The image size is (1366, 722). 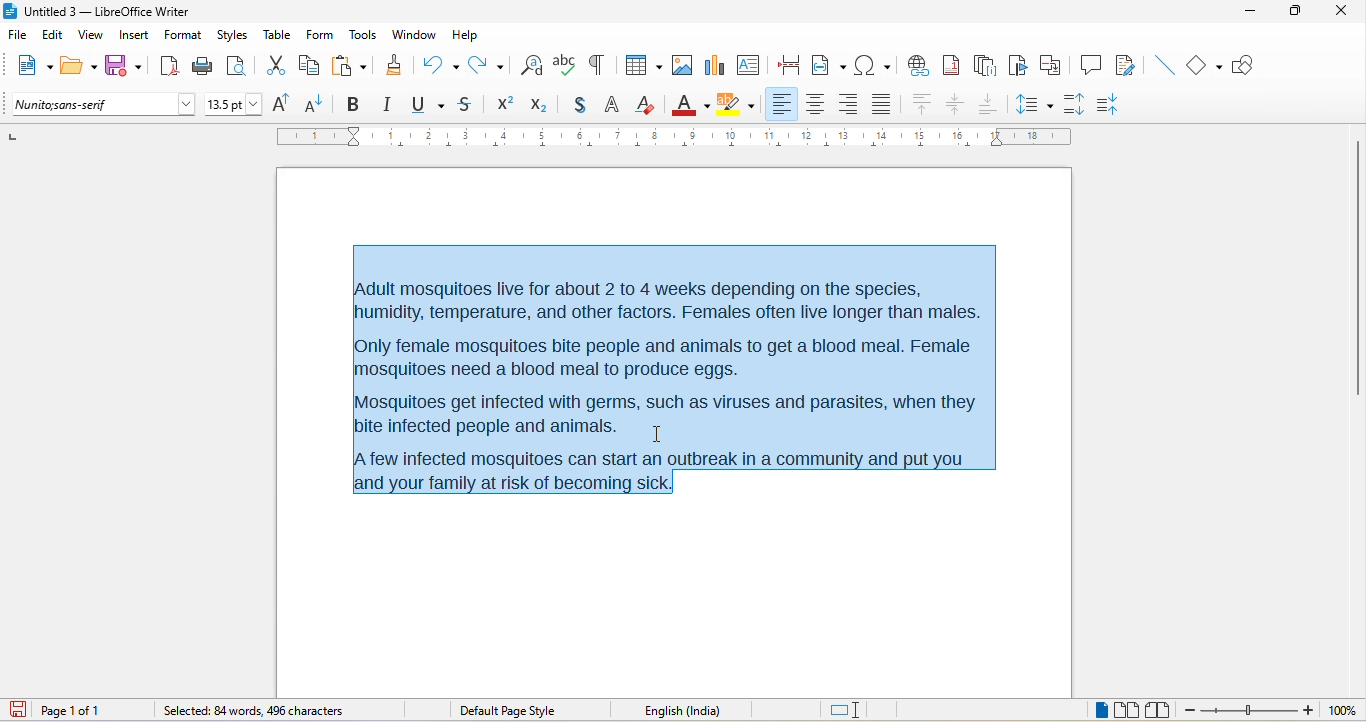 I want to click on single page view, so click(x=1092, y=711).